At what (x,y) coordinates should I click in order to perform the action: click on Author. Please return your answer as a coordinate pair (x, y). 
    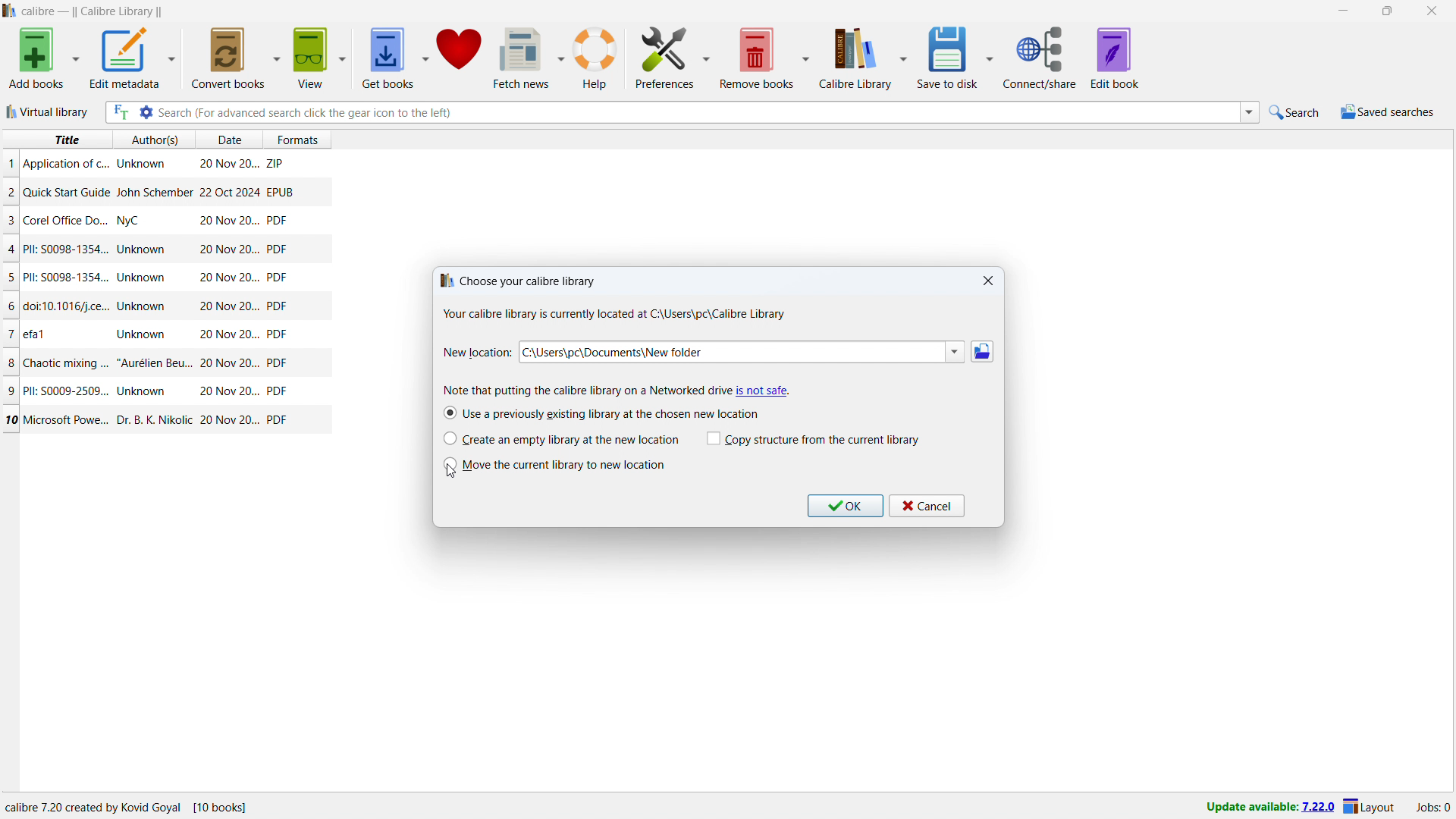
    Looking at the image, I should click on (144, 306).